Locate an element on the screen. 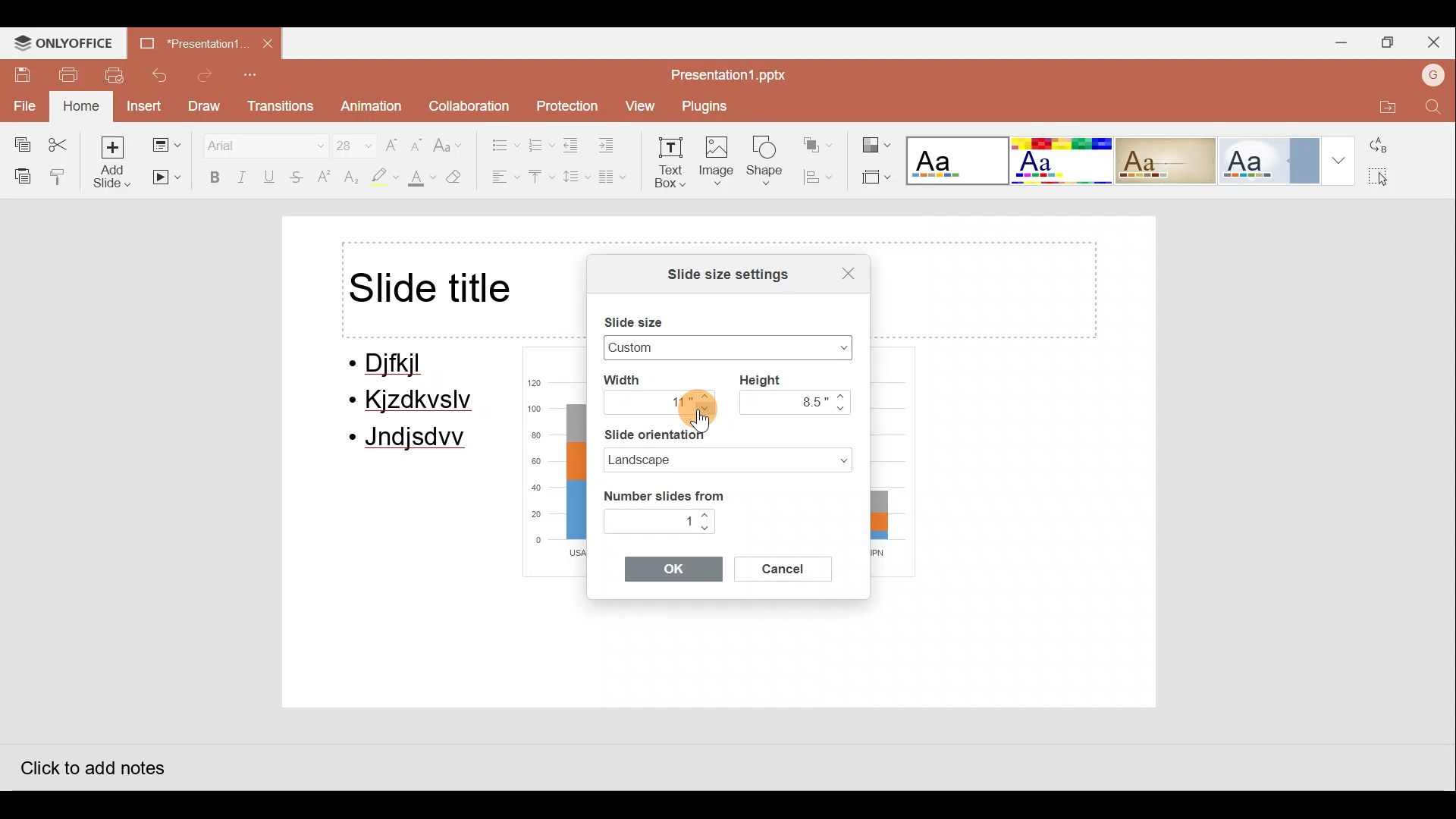  Change colour theme is located at coordinates (877, 140).